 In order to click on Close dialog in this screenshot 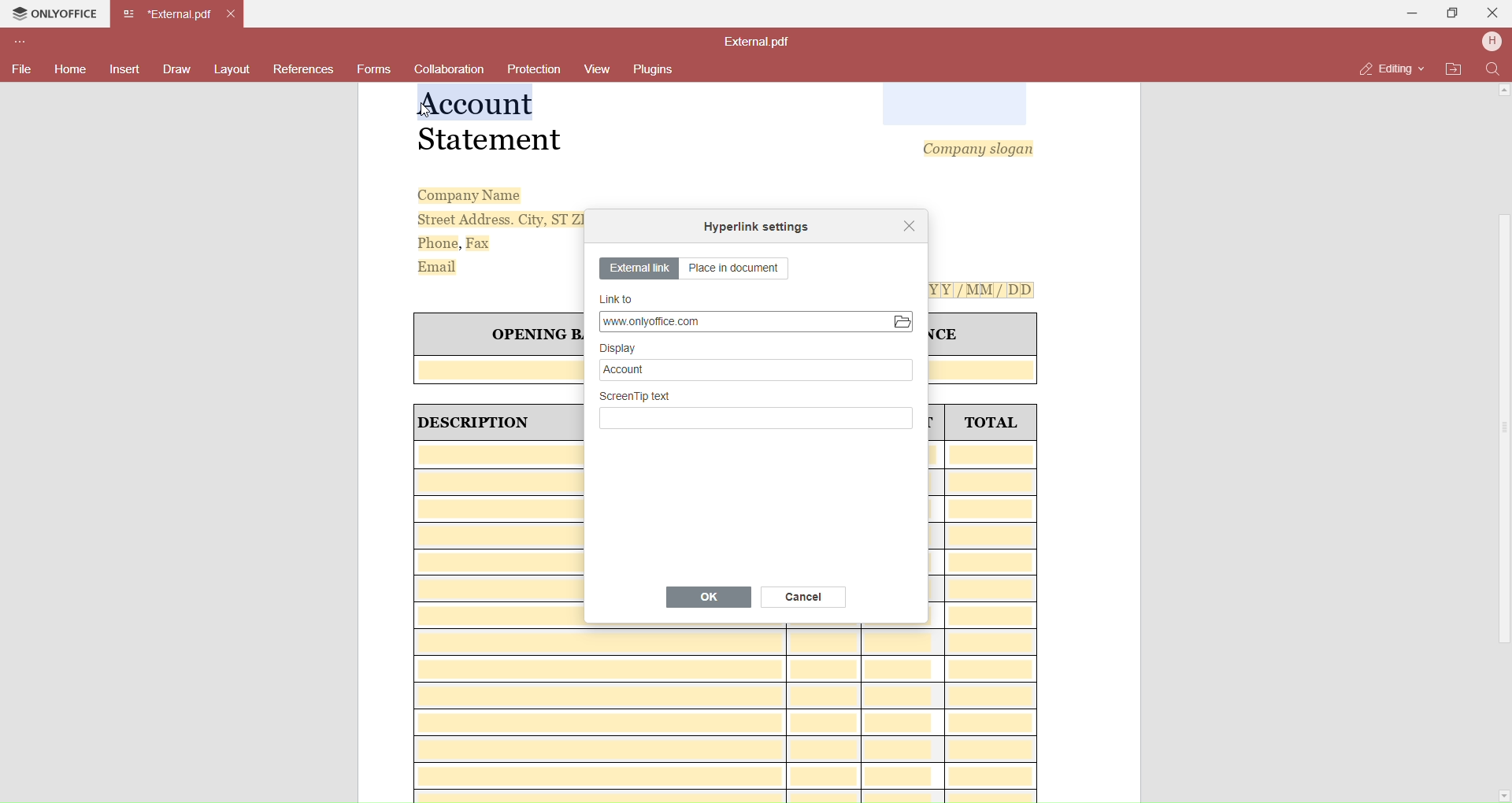, I will do `click(908, 225)`.